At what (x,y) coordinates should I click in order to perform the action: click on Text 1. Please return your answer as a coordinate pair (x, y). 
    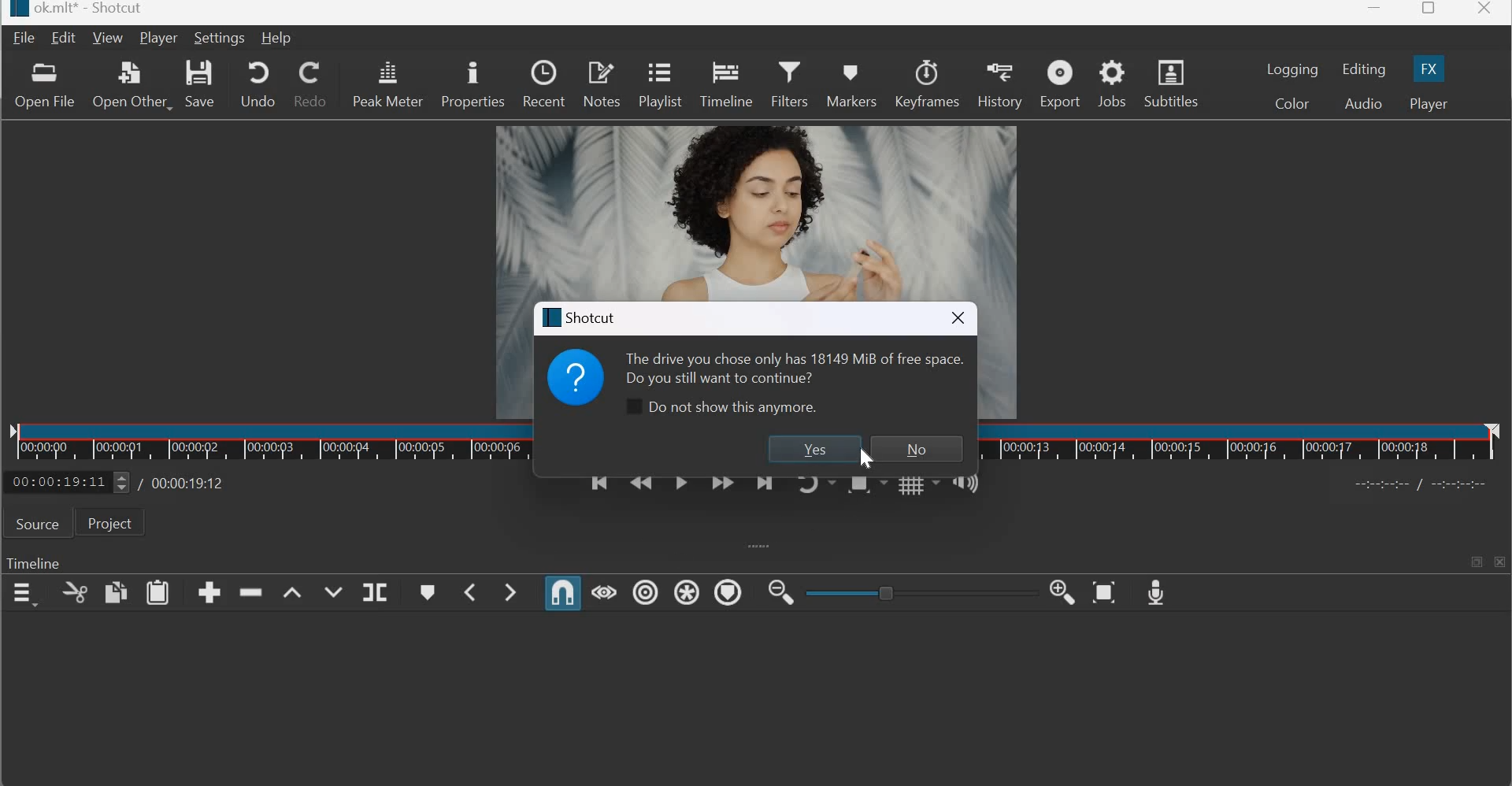
    Looking at the image, I should click on (795, 366).